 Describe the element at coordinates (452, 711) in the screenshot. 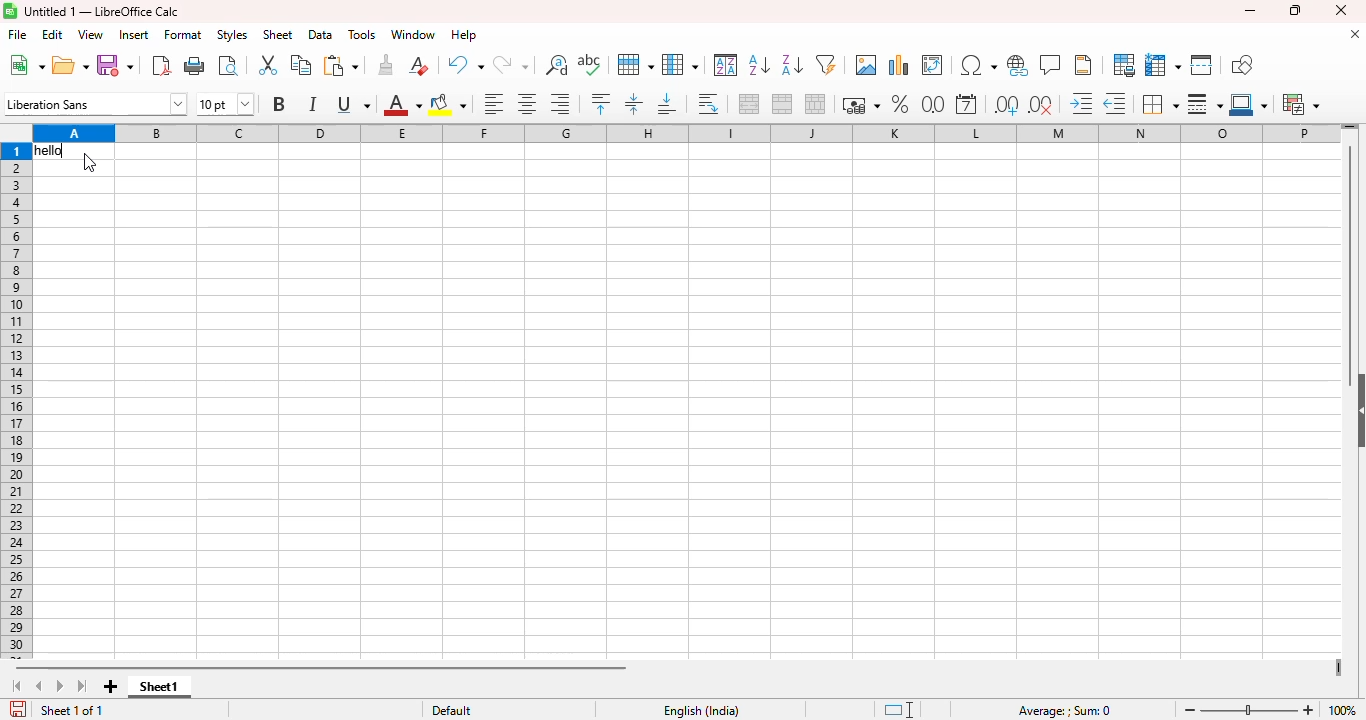

I see `default` at that location.